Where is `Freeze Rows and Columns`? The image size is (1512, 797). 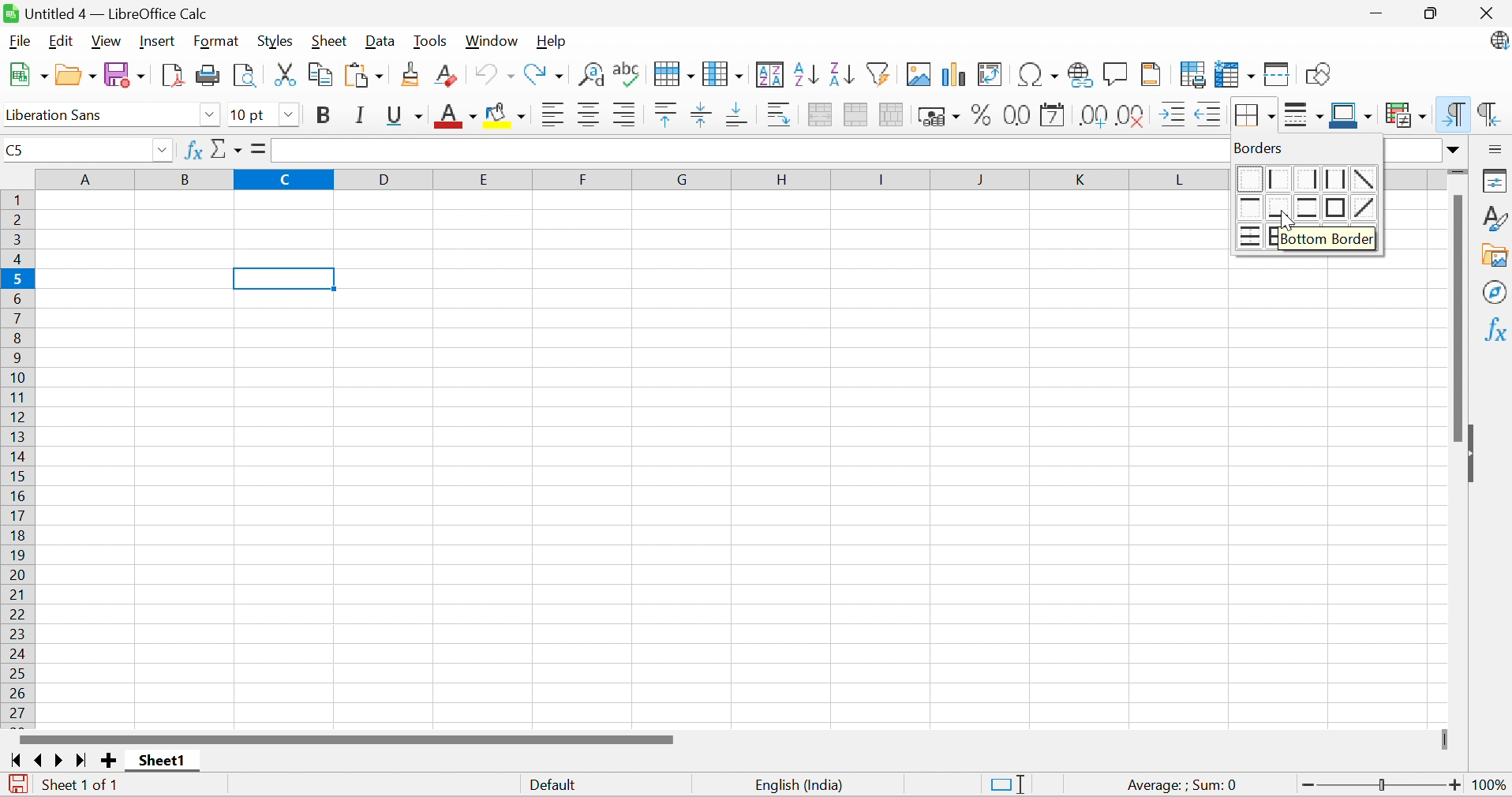
Freeze Rows and Columns is located at coordinates (1236, 74).